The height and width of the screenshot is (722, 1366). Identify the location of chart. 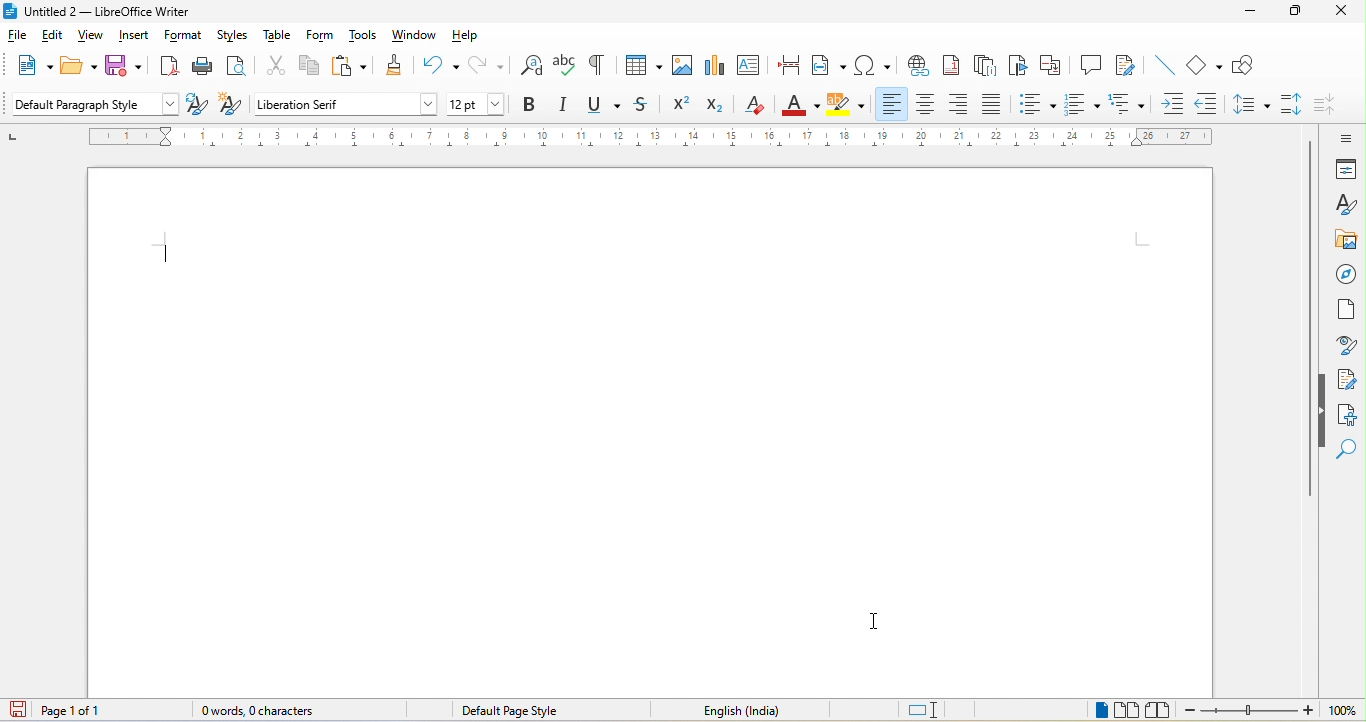
(717, 64).